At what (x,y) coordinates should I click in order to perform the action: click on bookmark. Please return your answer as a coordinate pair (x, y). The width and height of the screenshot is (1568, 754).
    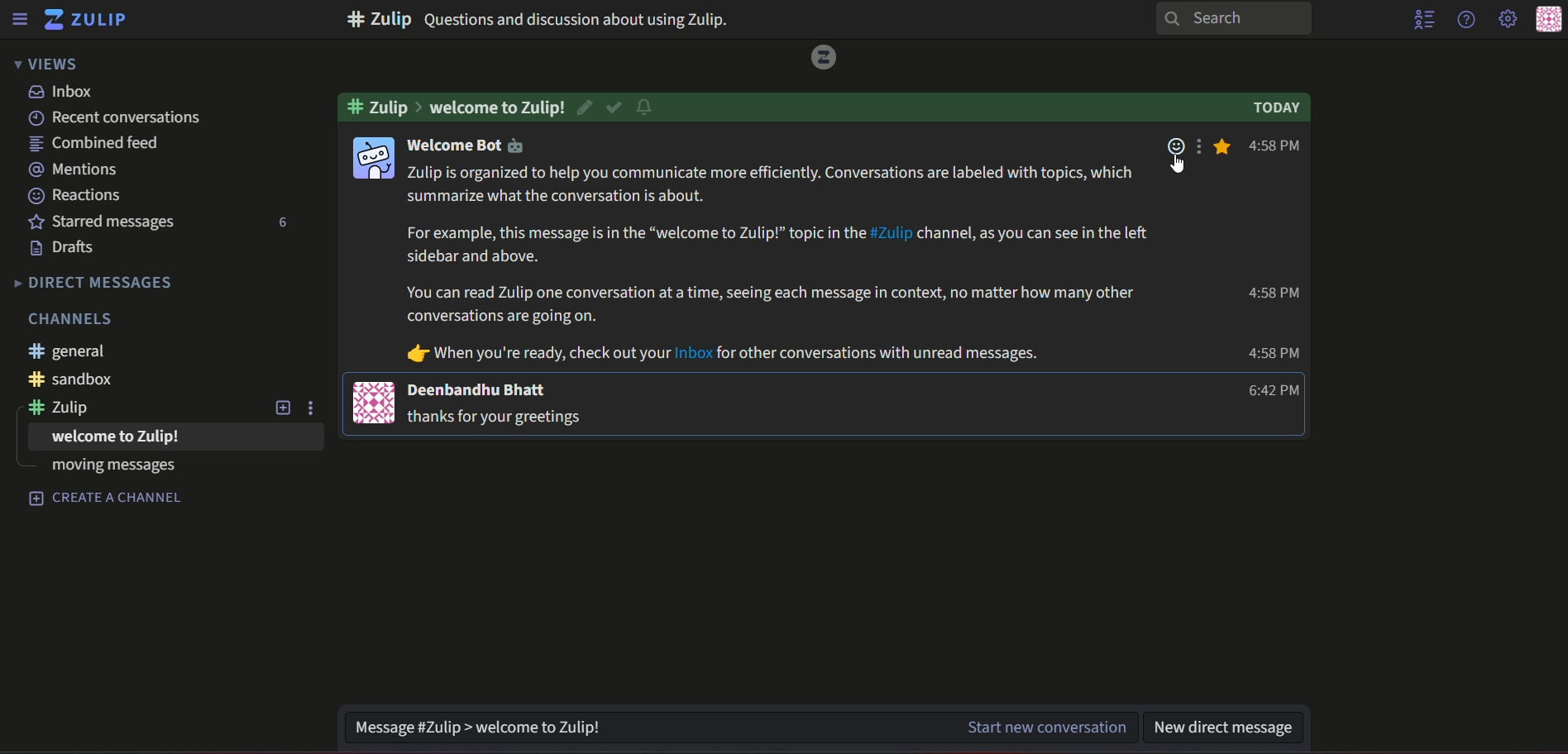
    Looking at the image, I should click on (1226, 146).